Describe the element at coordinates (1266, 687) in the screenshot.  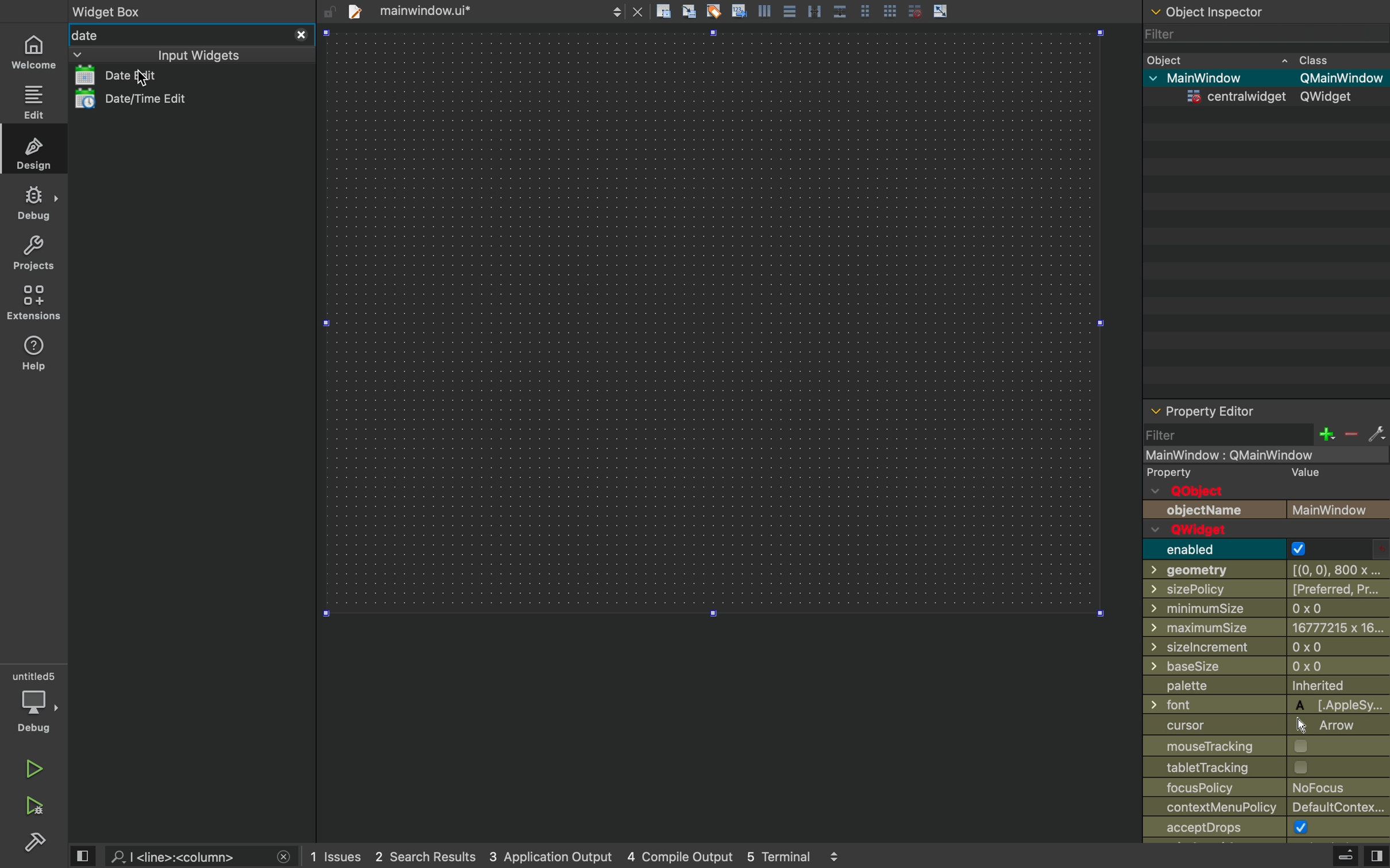
I see `palette` at that location.